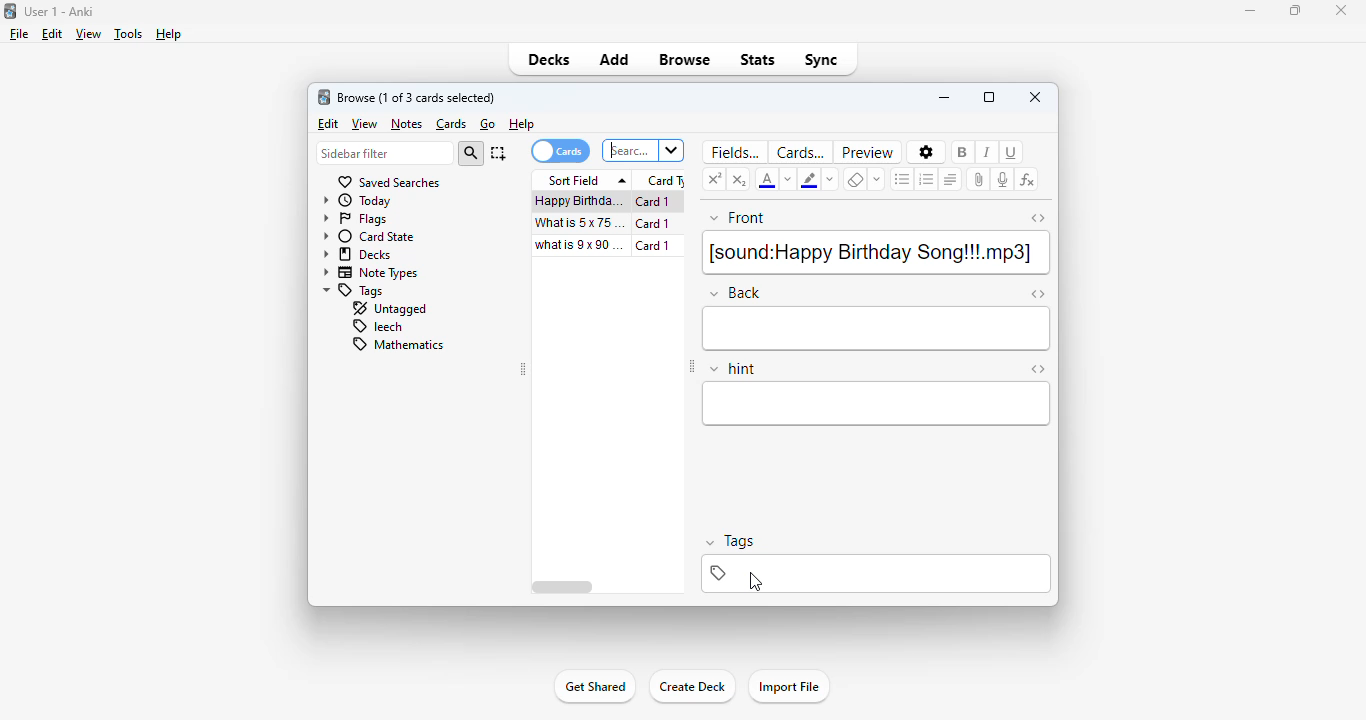 The height and width of the screenshot is (720, 1366). What do you see at coordinates (594, 687) in the screenshot?
I see `get shared` at bounding box center [594, 687].